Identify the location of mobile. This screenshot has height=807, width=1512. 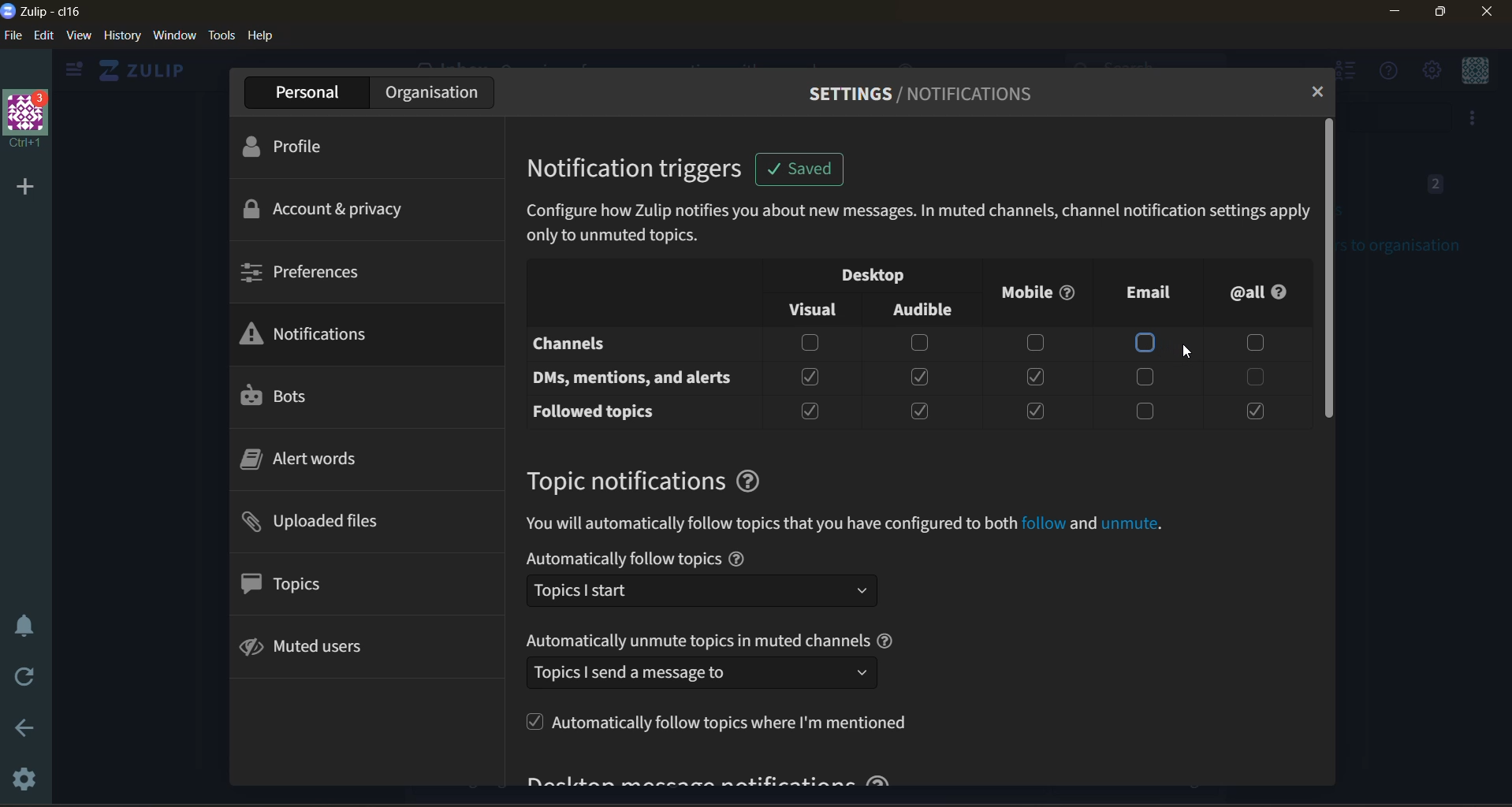
(1034, 299).